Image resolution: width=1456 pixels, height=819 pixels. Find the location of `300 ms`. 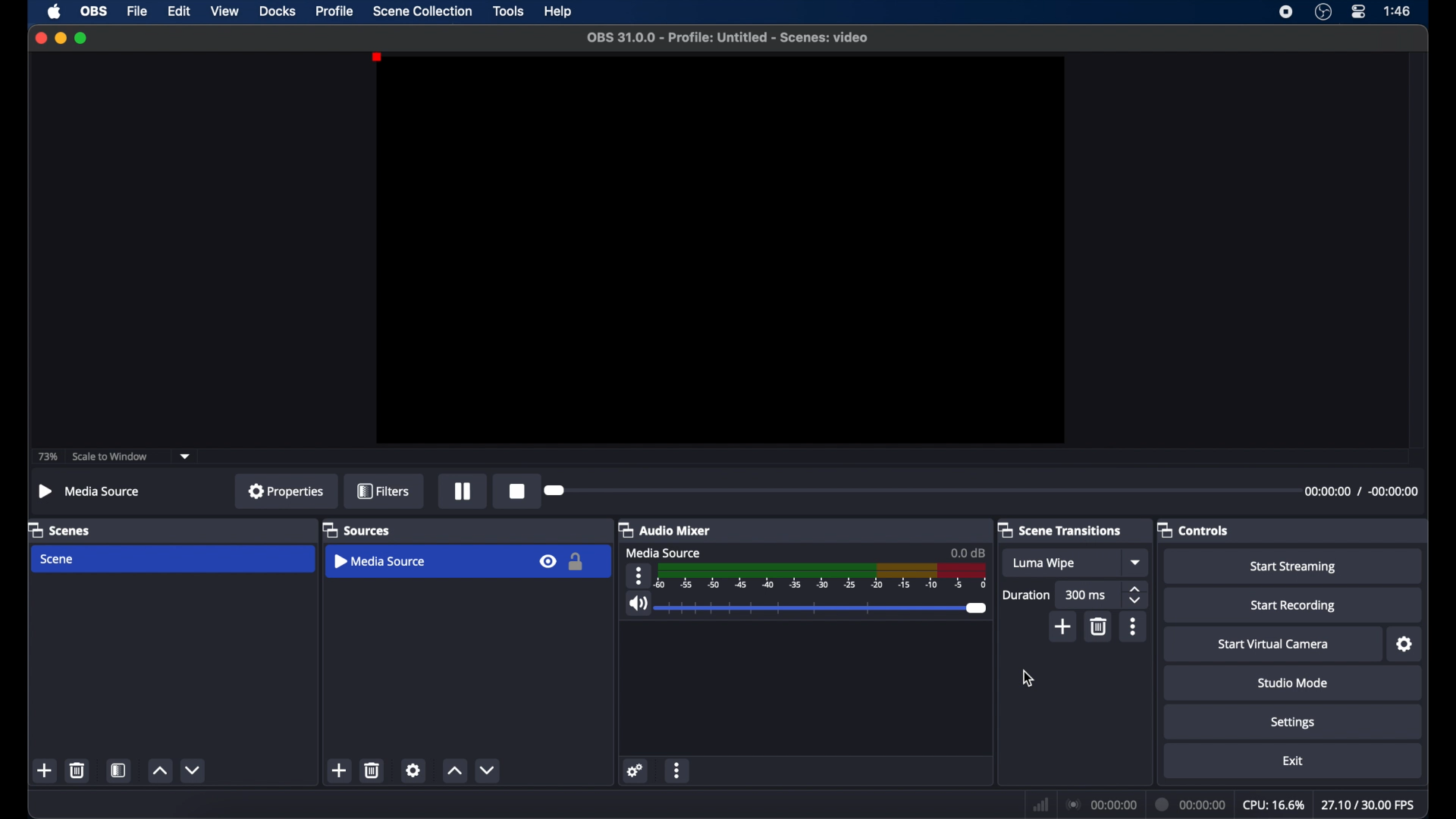

300 ms is located at coordinates (1086, 595).